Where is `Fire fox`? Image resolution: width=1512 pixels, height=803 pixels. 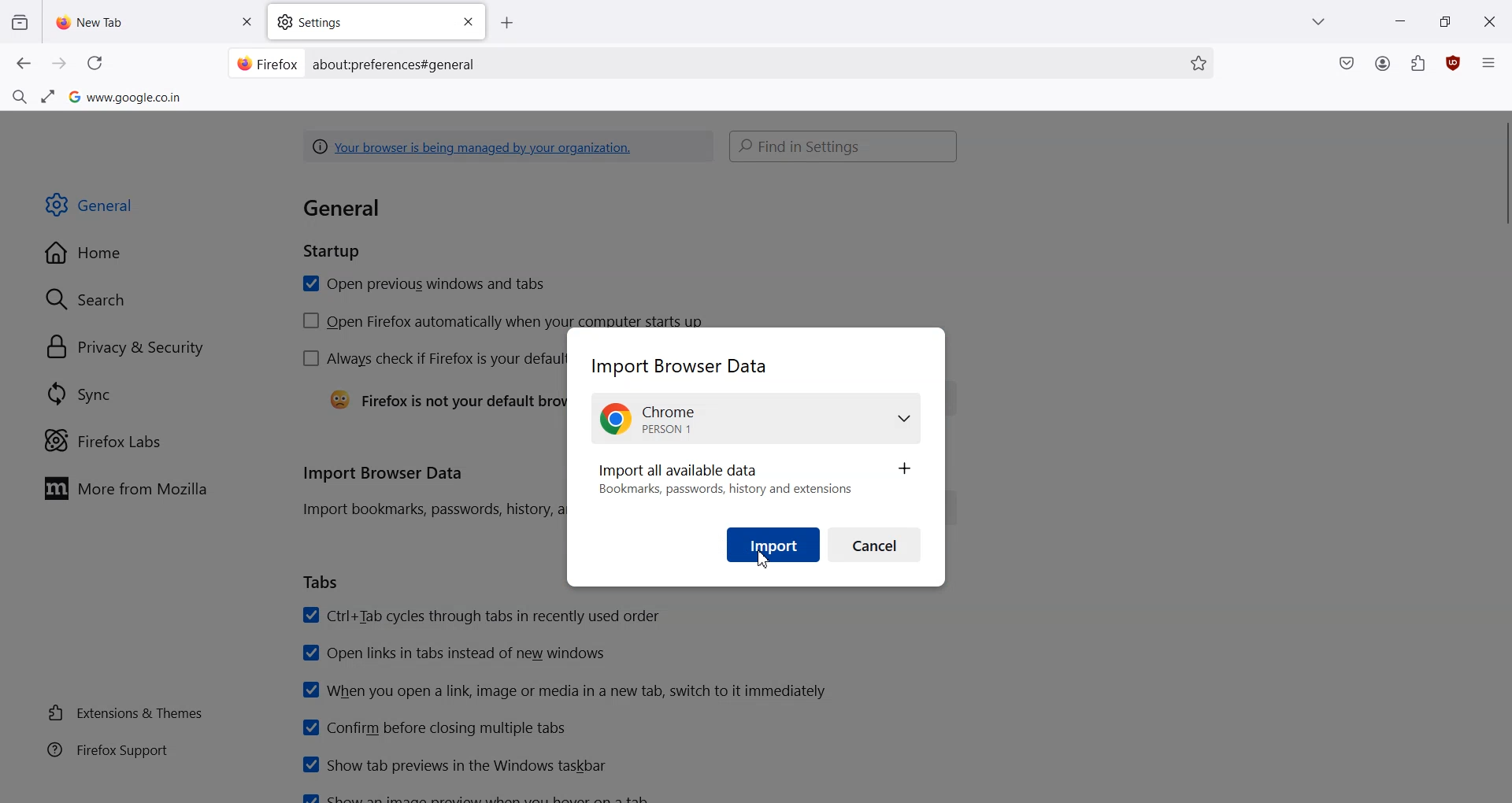
Fire fox is located at coordinates (267, 63).